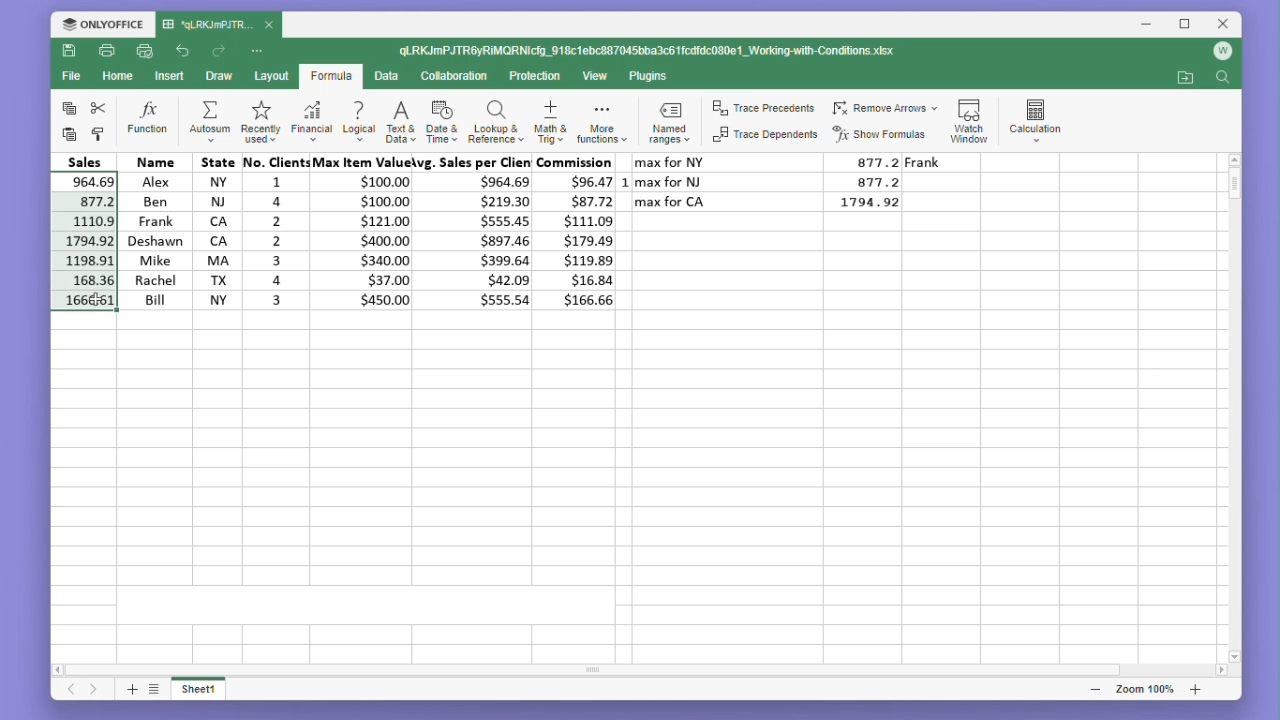  What do you see at coordinates (1181, 25) in the screenshot?
I see `Maximize` at bounding box center [1181, 25].